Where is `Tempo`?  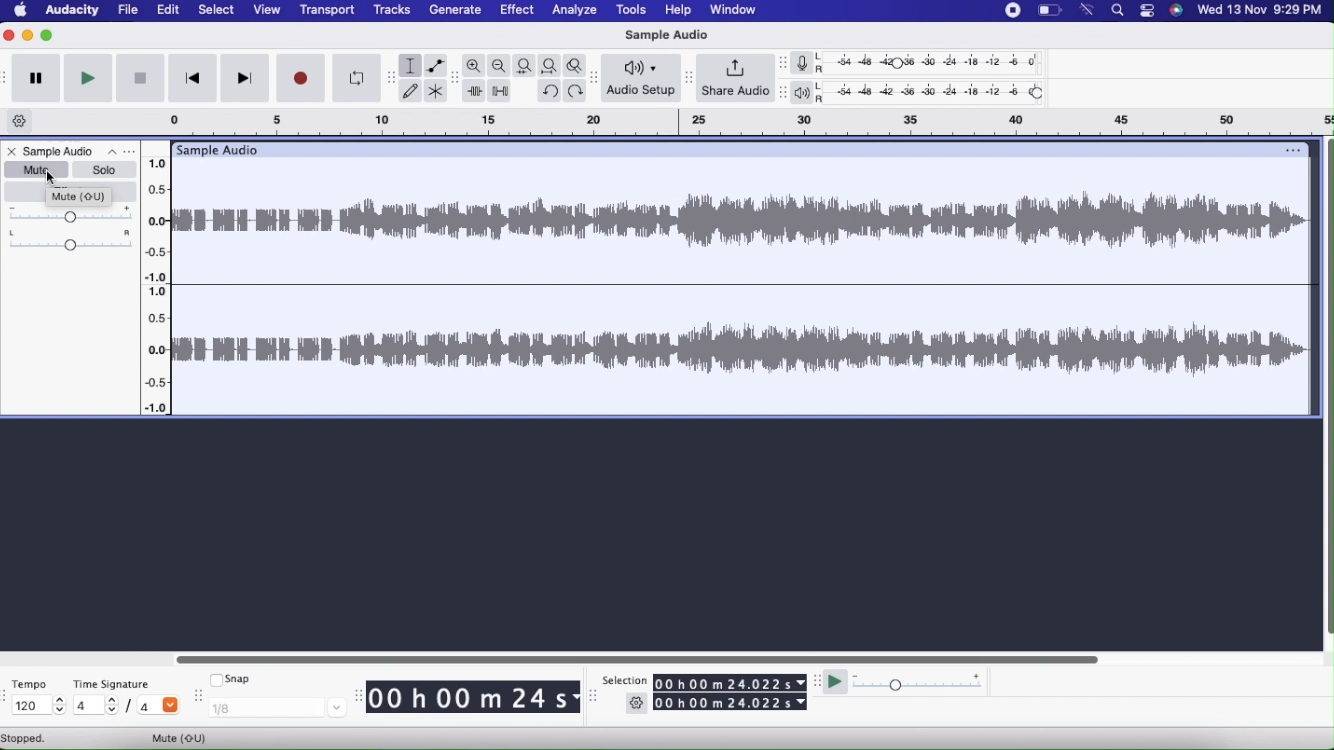 Tempo is located at coordinates (28, 684).